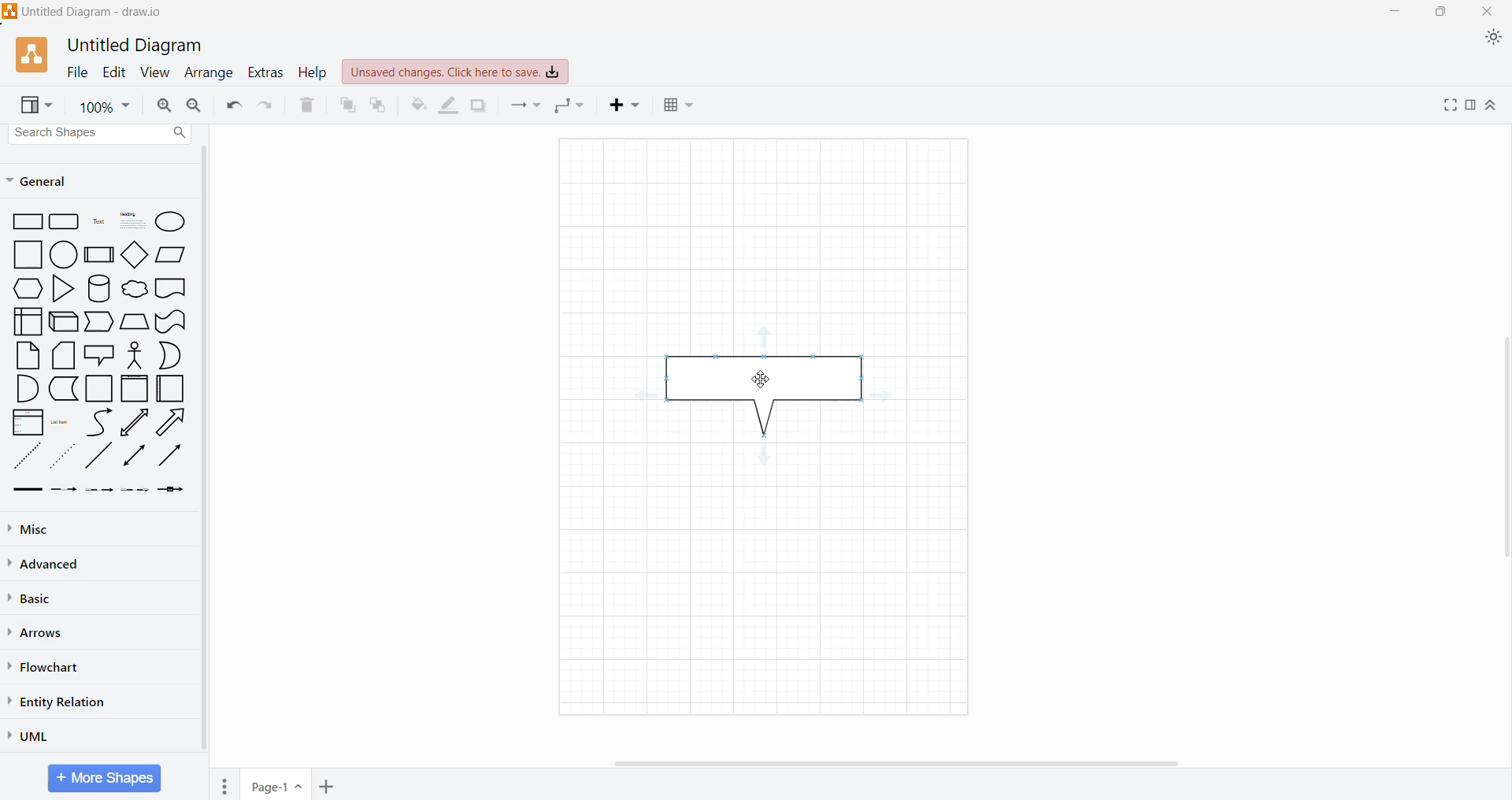  Describe the element at coordinates (1439, 12) in the screenshot. I see `Restore Down` at that location.